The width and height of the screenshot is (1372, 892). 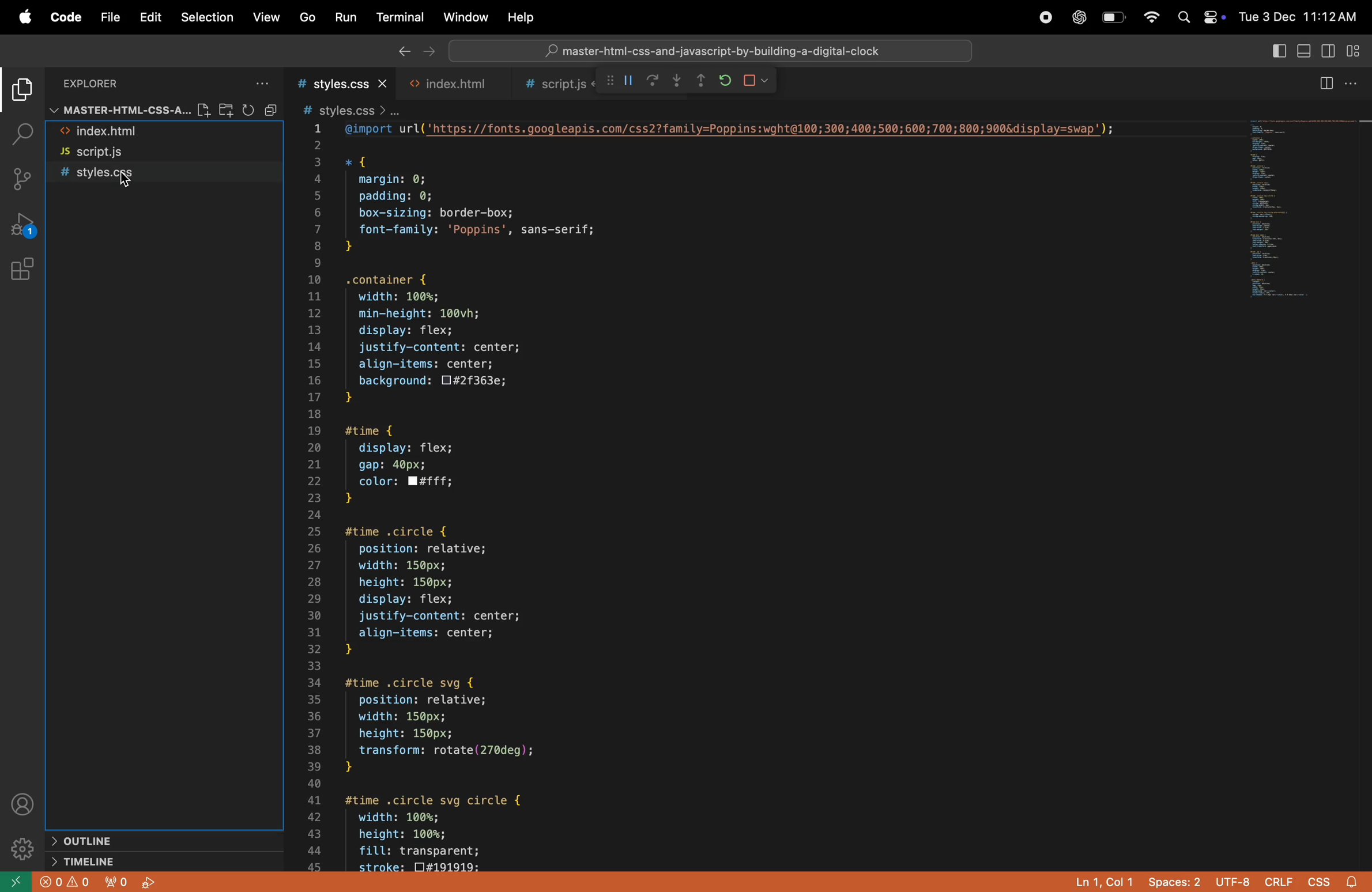 What do you see at coordinates (654, 82) in the screenshot?
I see `redo` at bounding box center [654, 82].